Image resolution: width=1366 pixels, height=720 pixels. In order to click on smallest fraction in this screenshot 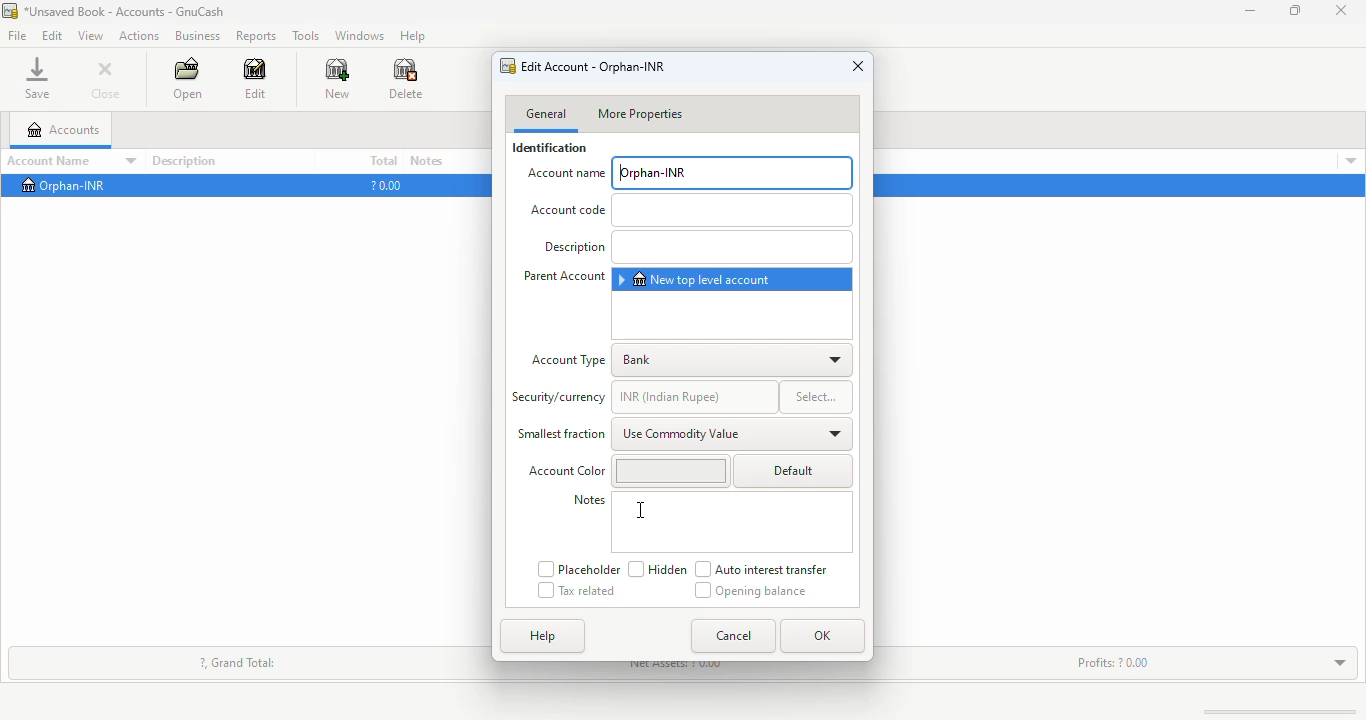, I will do `click(561, 434)`.